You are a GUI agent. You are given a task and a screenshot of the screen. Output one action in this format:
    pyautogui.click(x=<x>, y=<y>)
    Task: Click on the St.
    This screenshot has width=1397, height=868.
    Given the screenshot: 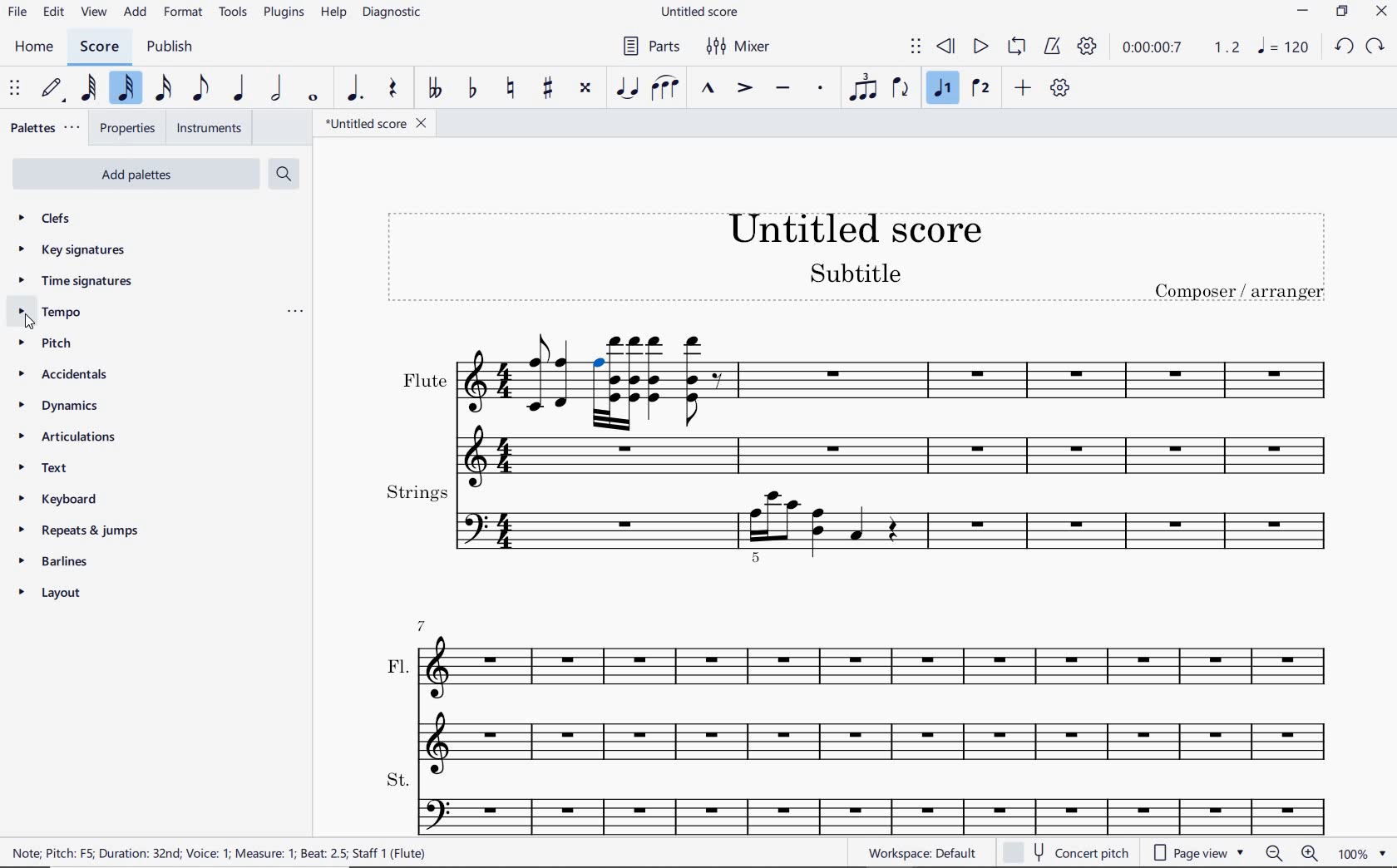 What is the action you would take?
    pyautogui.click(x=873, y=800)
    